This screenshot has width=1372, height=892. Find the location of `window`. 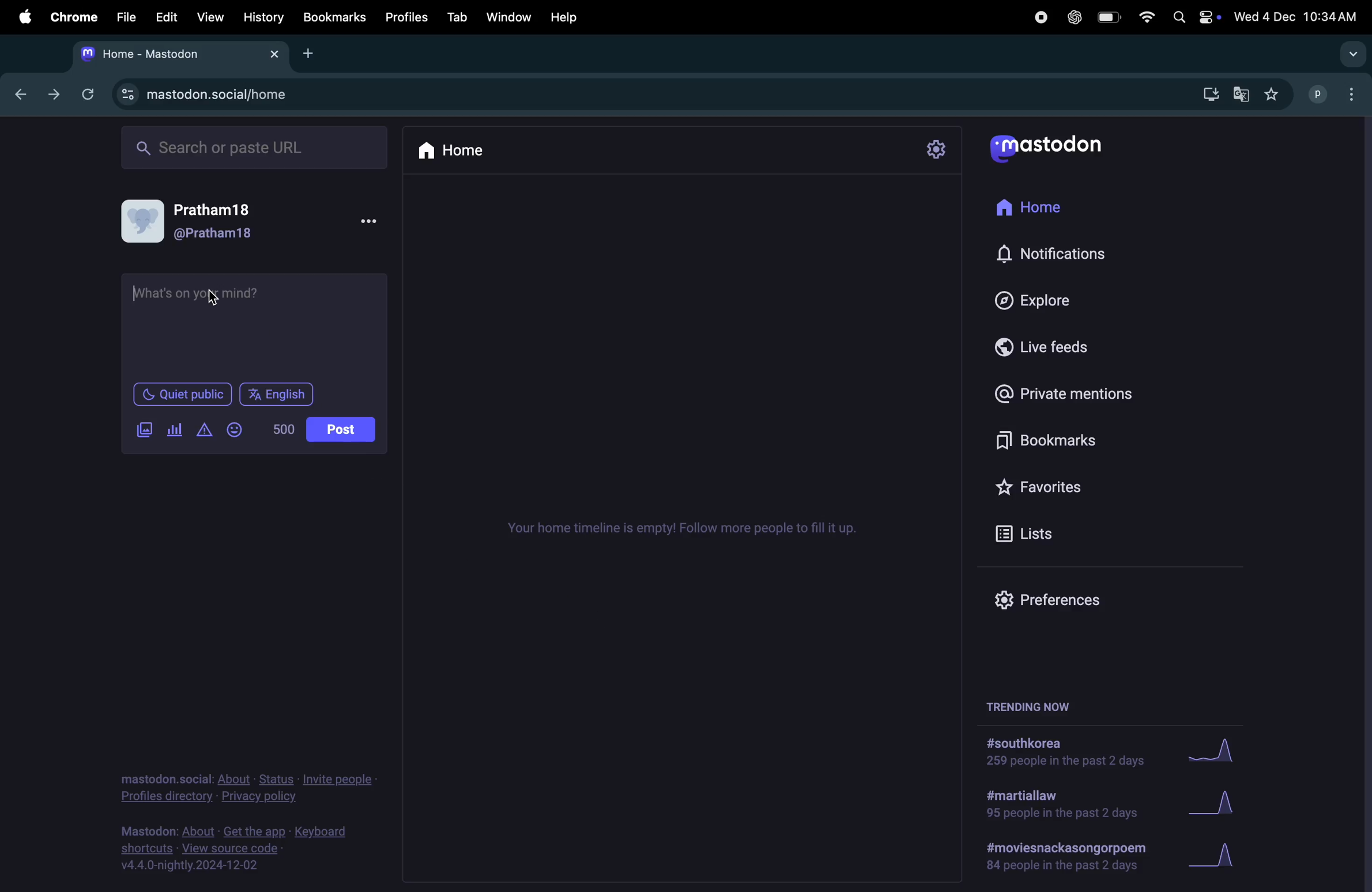

window is located at coordinates (513, 16).